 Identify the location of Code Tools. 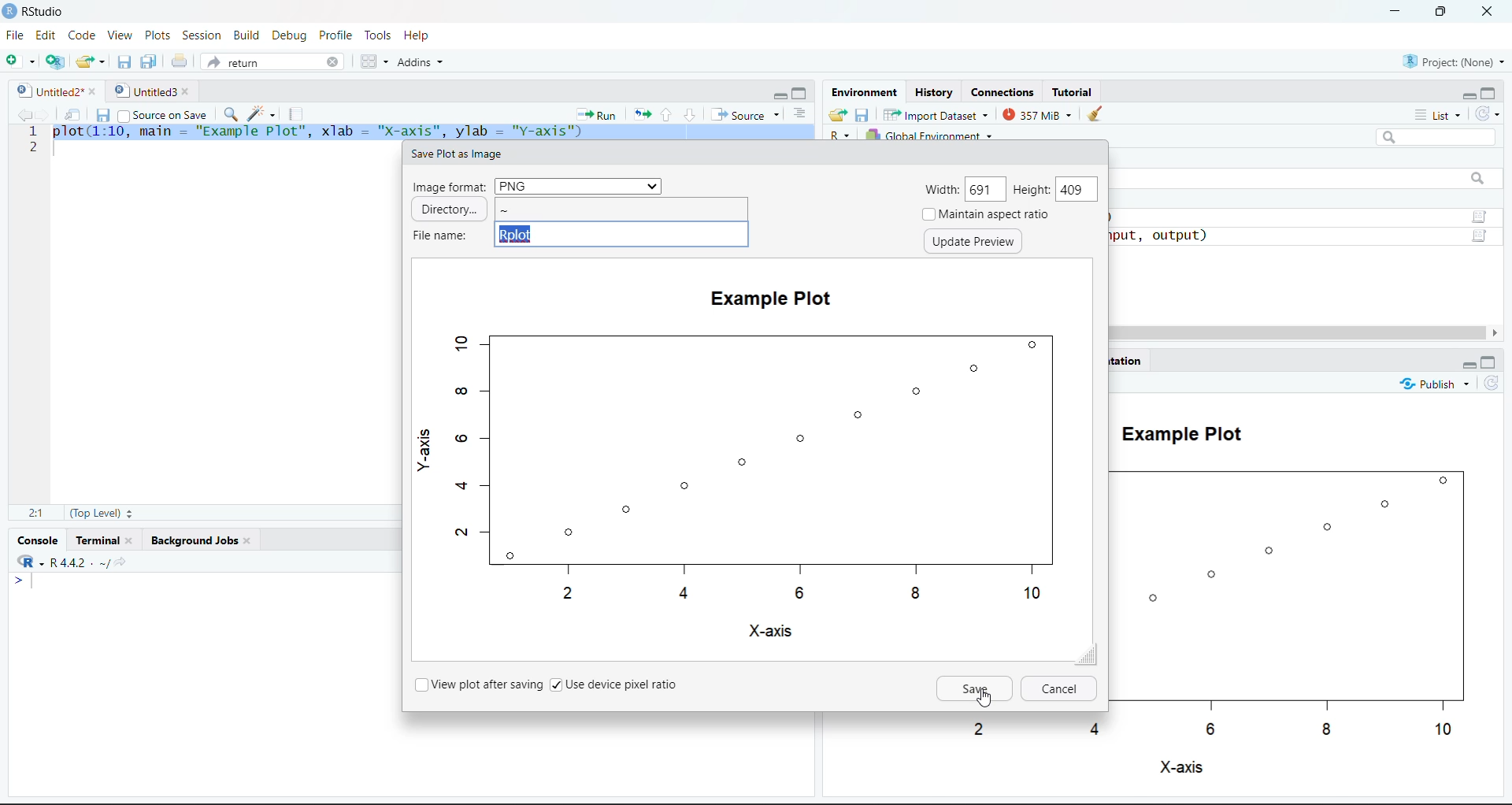
(262, 113).